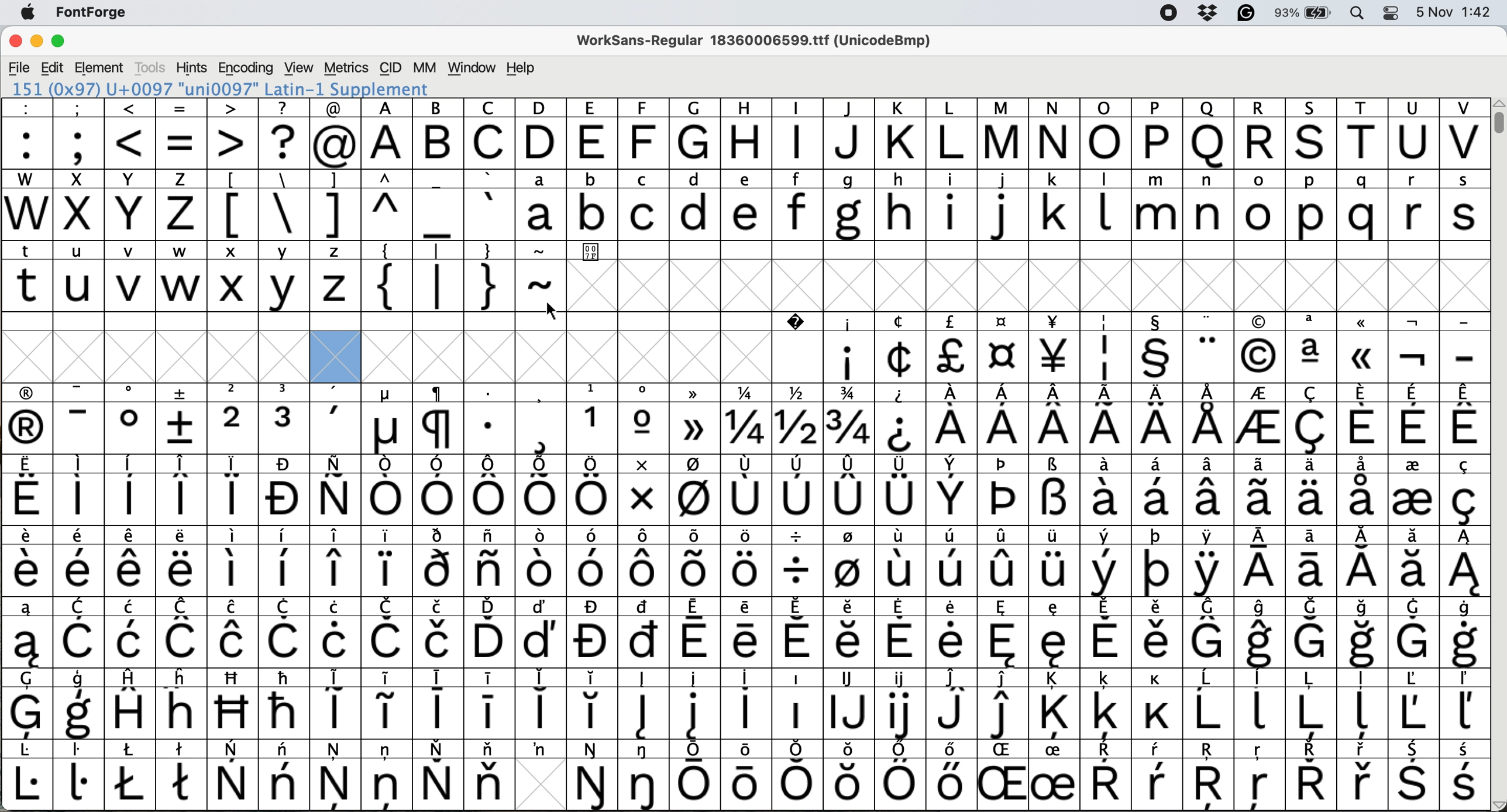  I want to click on symbol, so click(952, 419).